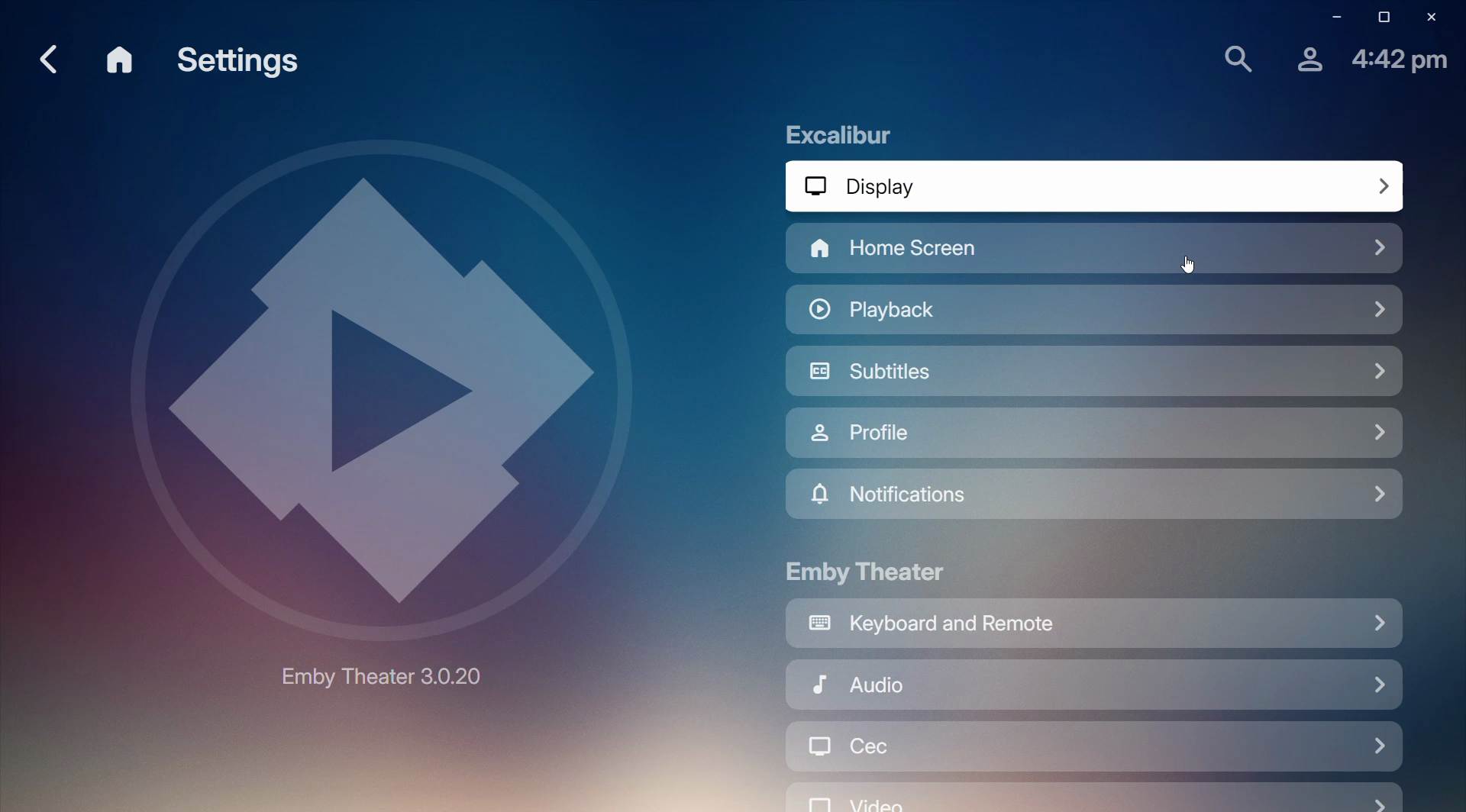  Describe the element at coordinates (1095, 746) in the screenshot. I see `Cec` at that location.